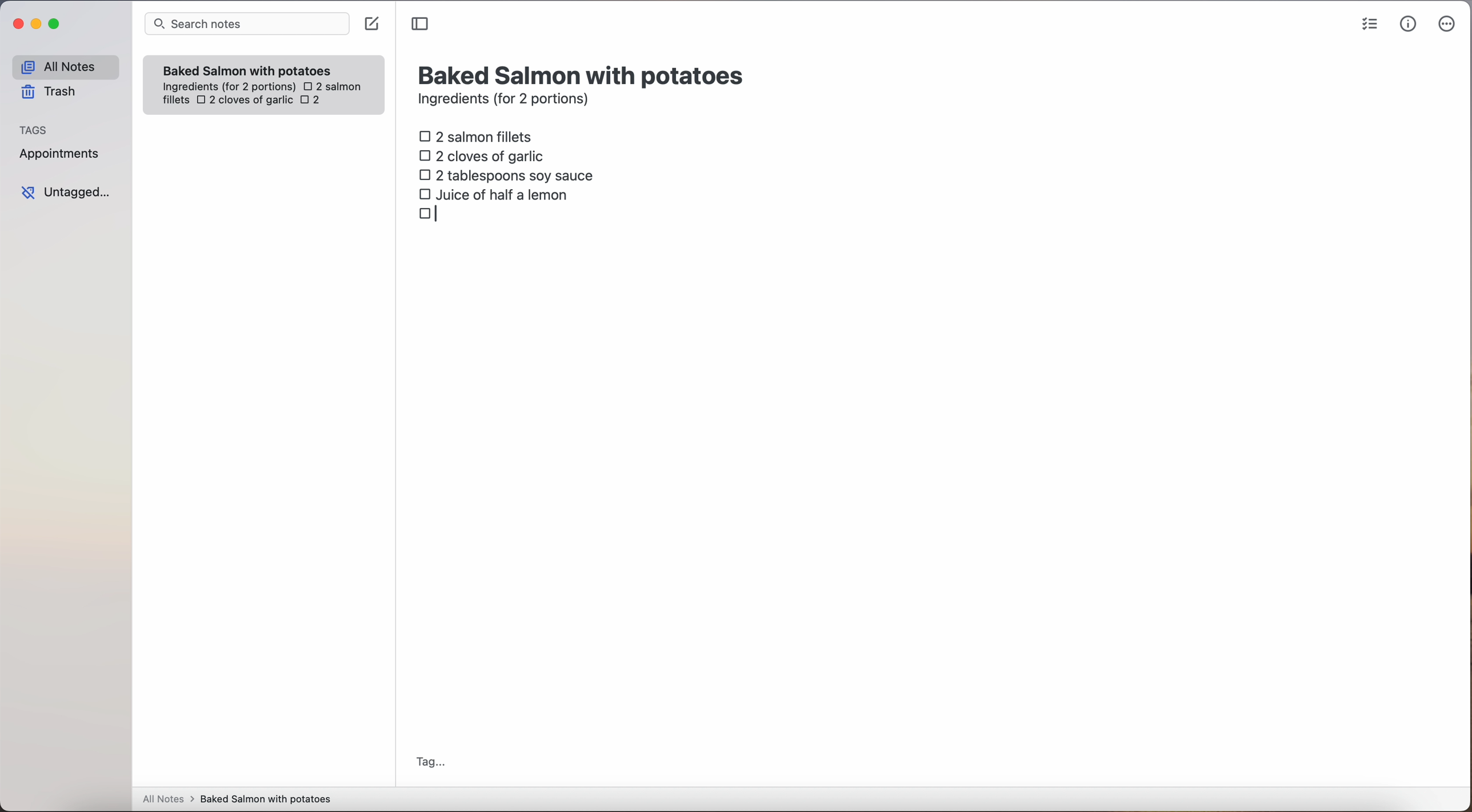 This screenshot has width=1472, height=812. Describe the element at coordinates (1370, 25) in the screenshot. I see `check list` at that location.